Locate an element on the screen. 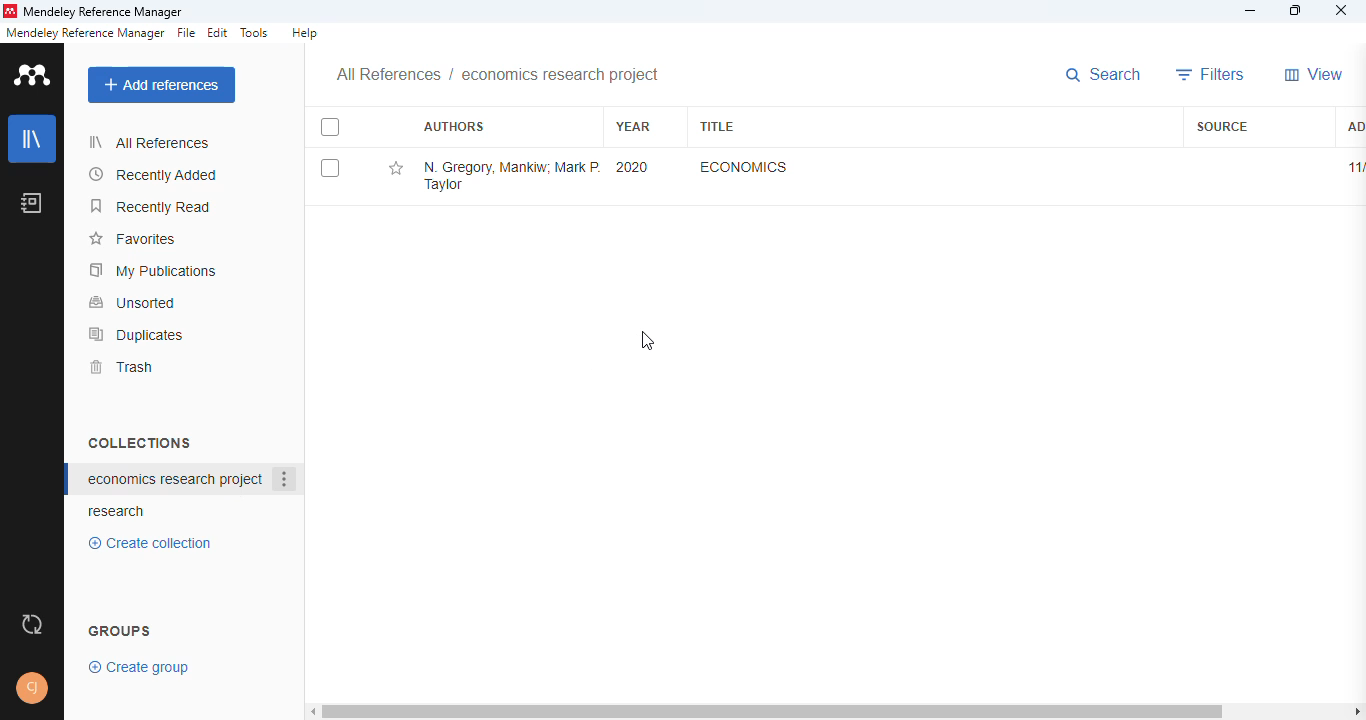 The height and width of the screenshot is (720, 1366). year is located at coordinates (635, 127).